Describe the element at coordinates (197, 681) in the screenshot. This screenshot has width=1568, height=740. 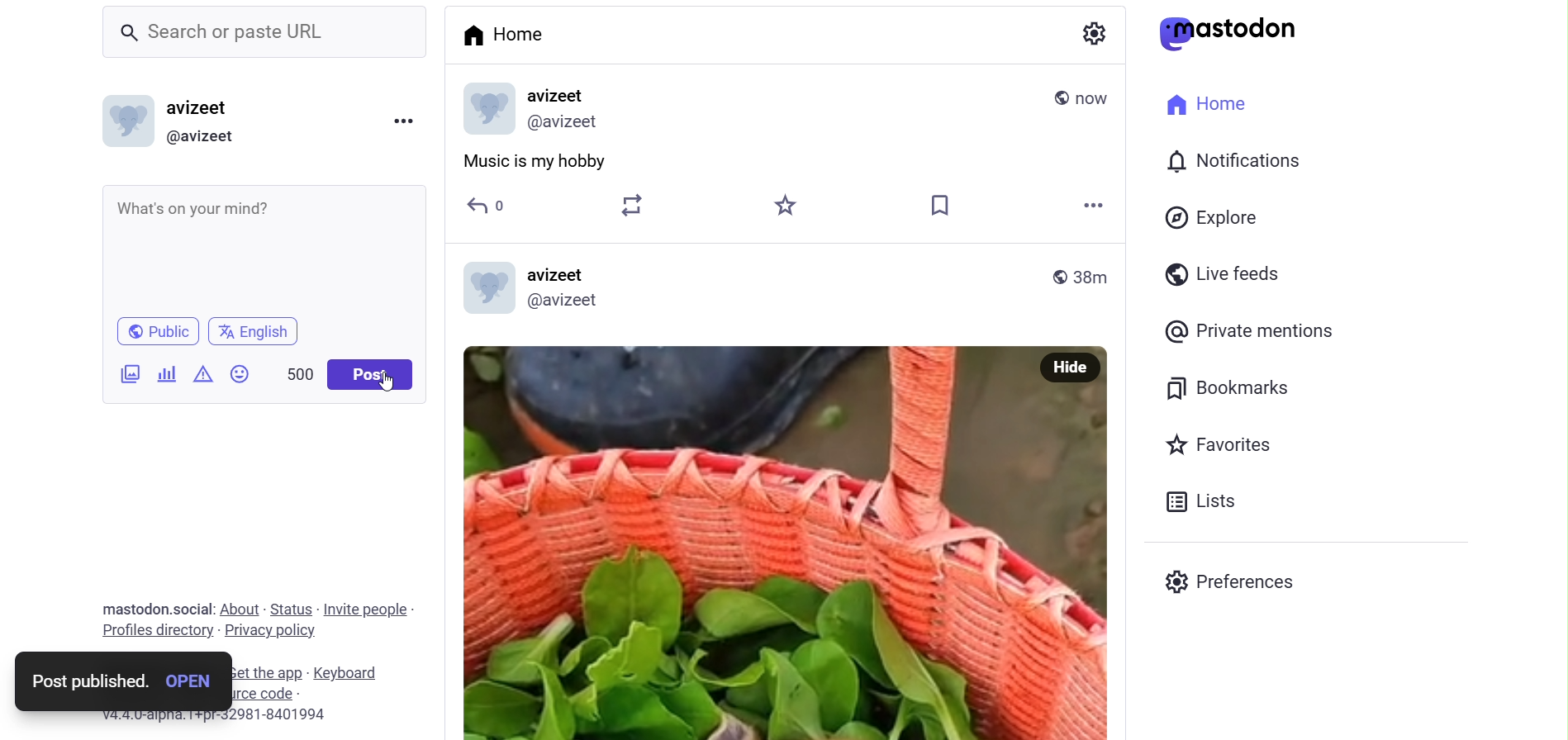
I see `Open Posted Post` at that location.